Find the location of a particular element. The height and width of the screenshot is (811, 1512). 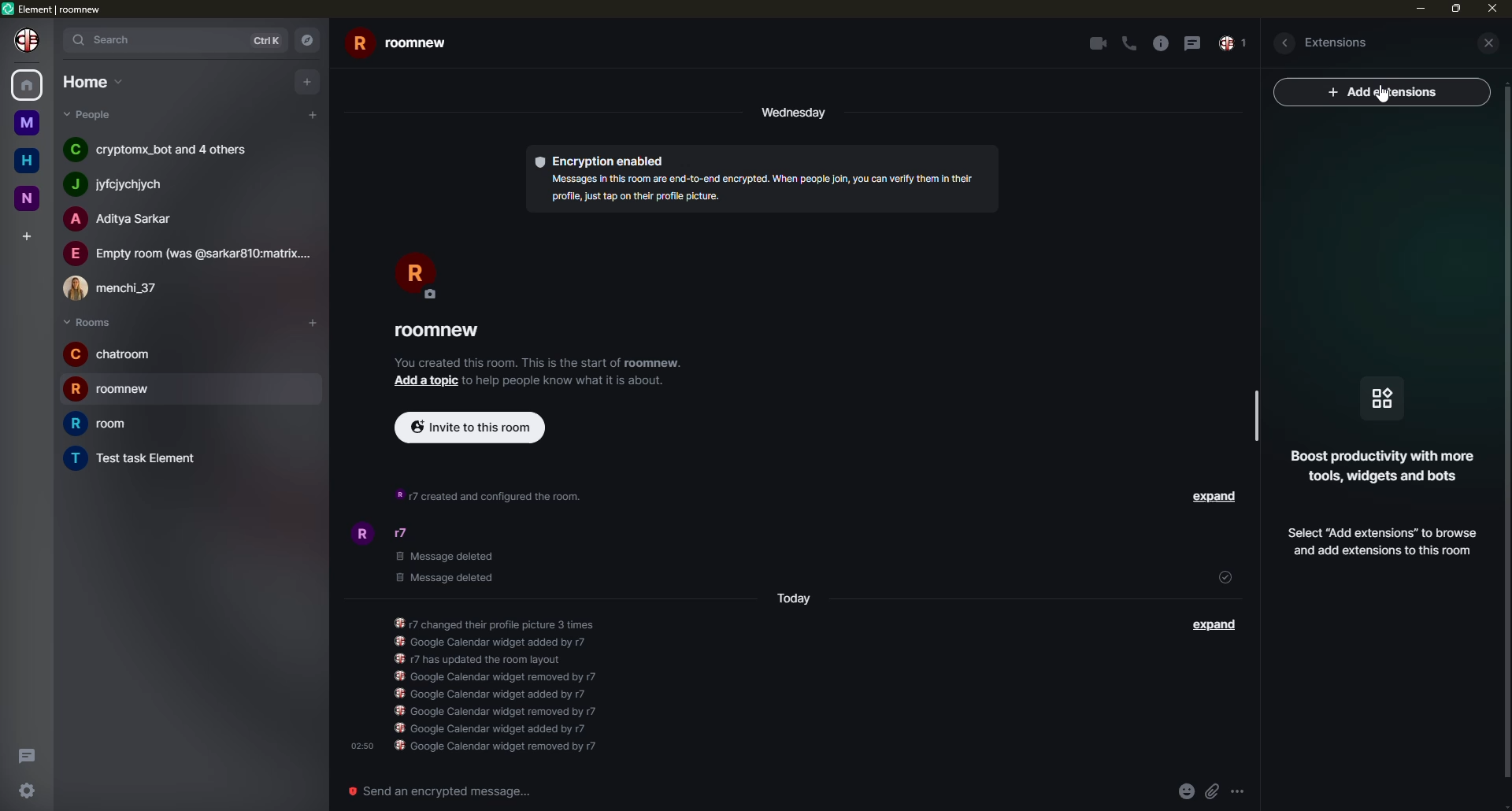

room is located at coordinates (400, 45).